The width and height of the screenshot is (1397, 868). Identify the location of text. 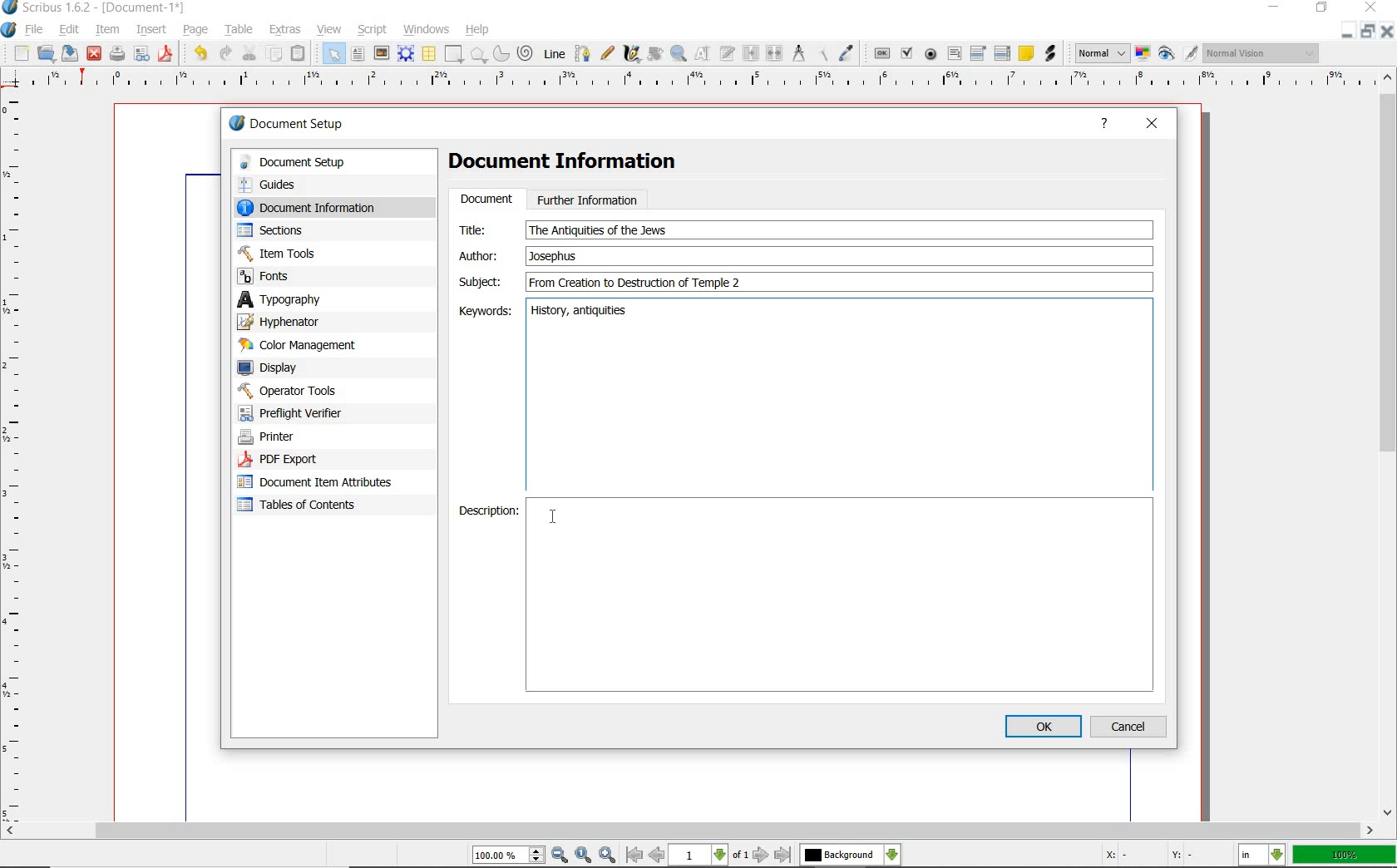
(598, 230).